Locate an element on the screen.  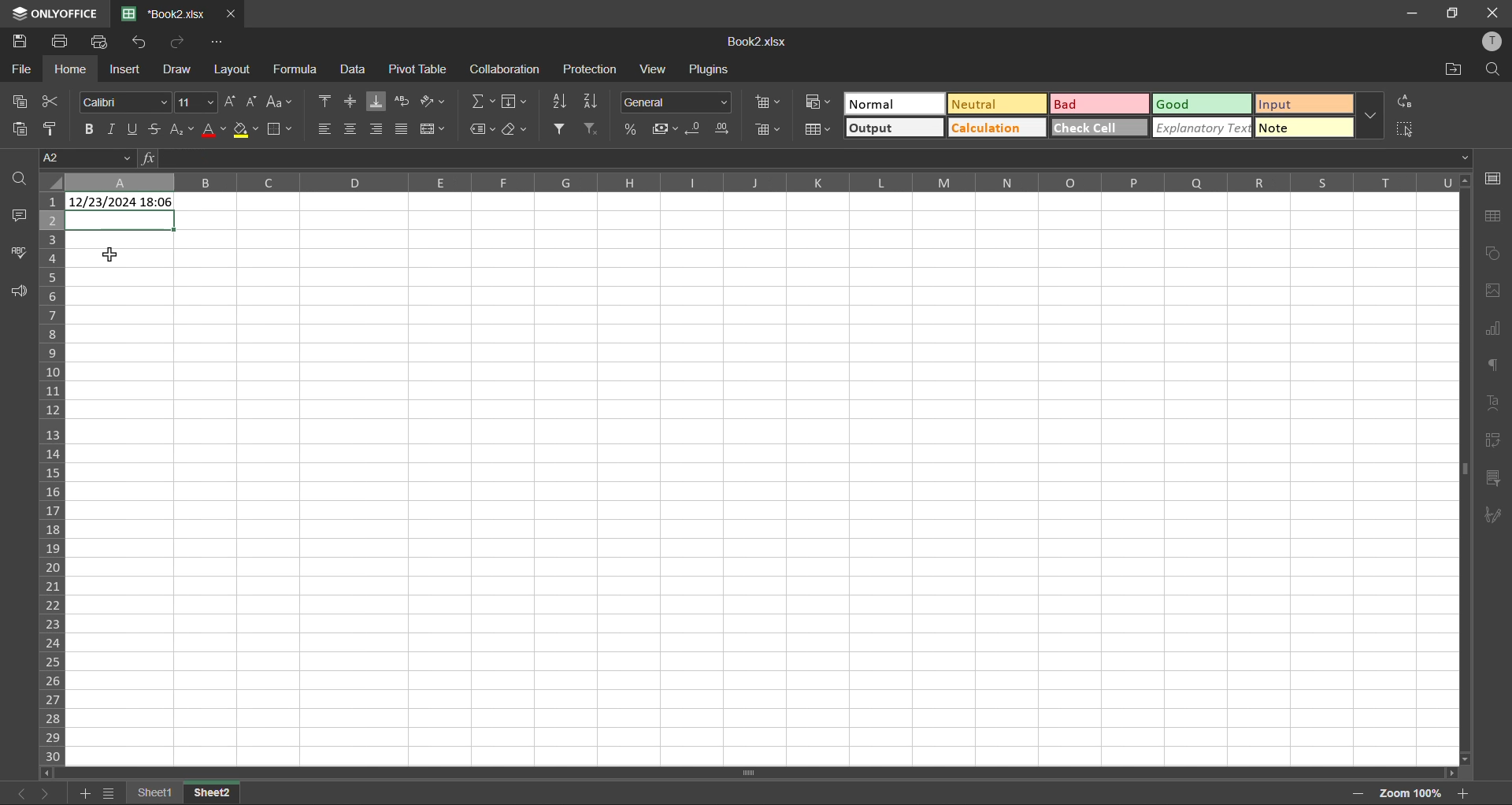
view is located at coordinates (654, 69).